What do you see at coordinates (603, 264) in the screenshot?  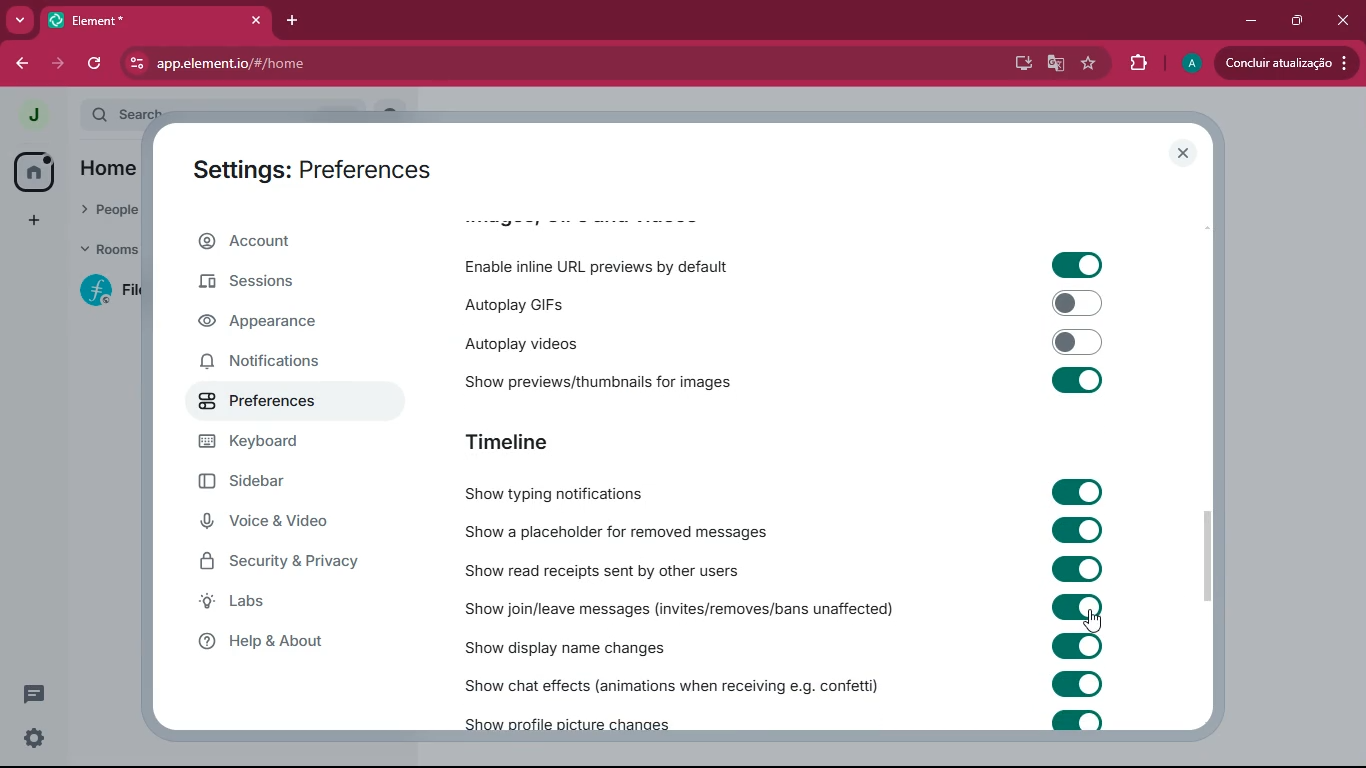 I see `enable inline URL previews by default` at bounding box center [603, 264].